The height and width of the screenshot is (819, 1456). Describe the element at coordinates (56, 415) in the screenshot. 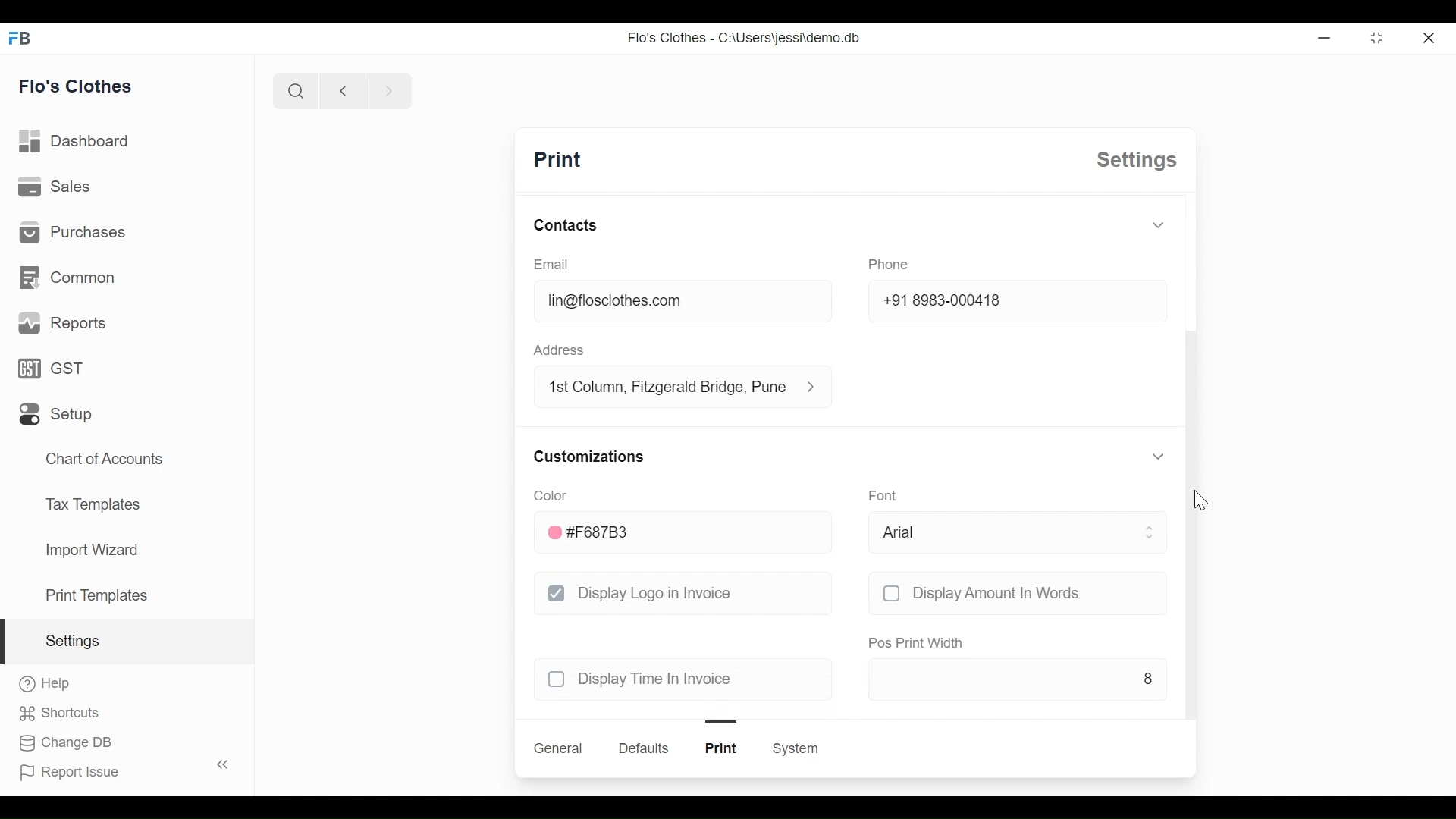

I see `setup` at that location.